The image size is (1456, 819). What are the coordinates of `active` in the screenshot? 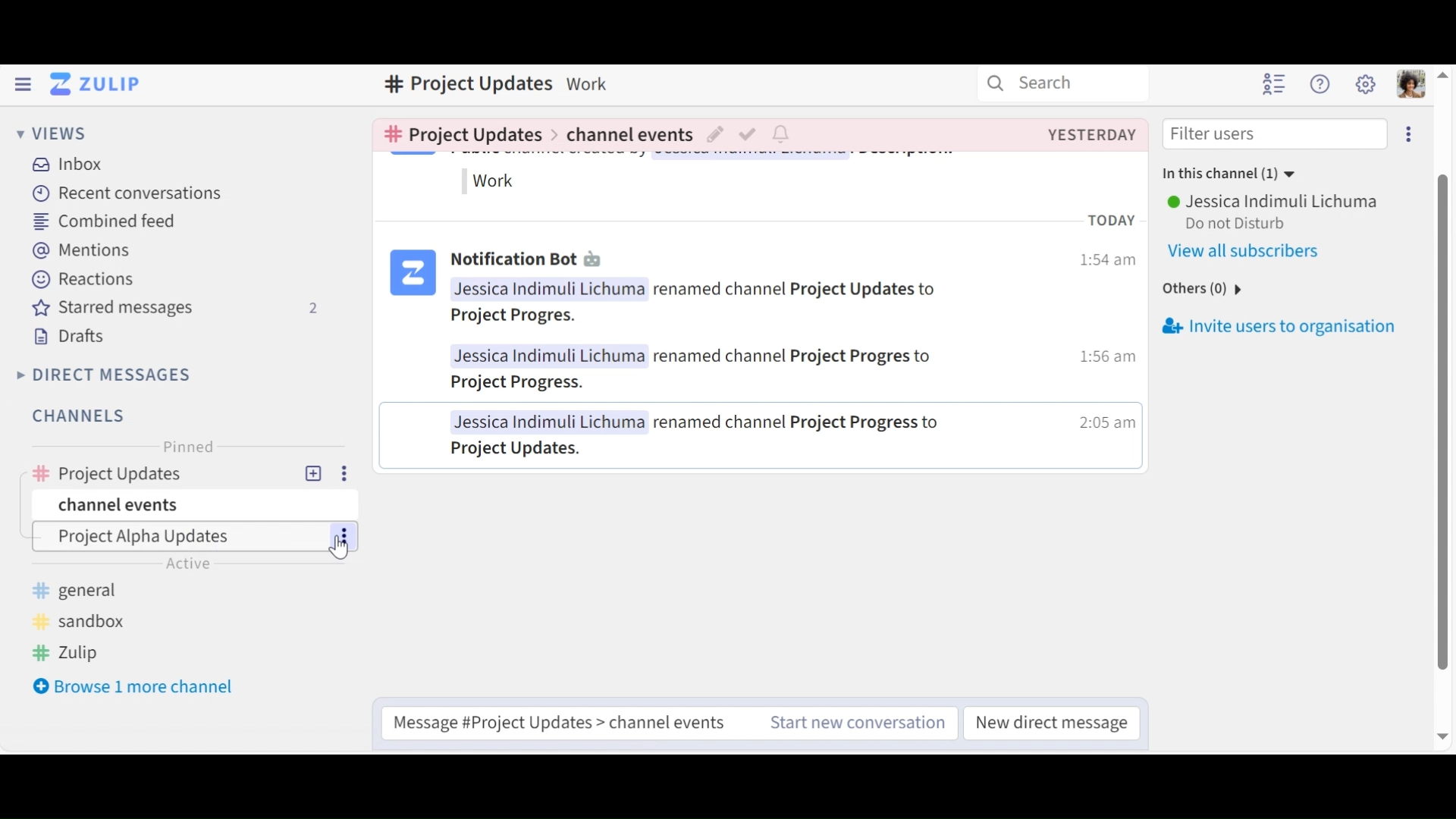 It's located at (190, 564).